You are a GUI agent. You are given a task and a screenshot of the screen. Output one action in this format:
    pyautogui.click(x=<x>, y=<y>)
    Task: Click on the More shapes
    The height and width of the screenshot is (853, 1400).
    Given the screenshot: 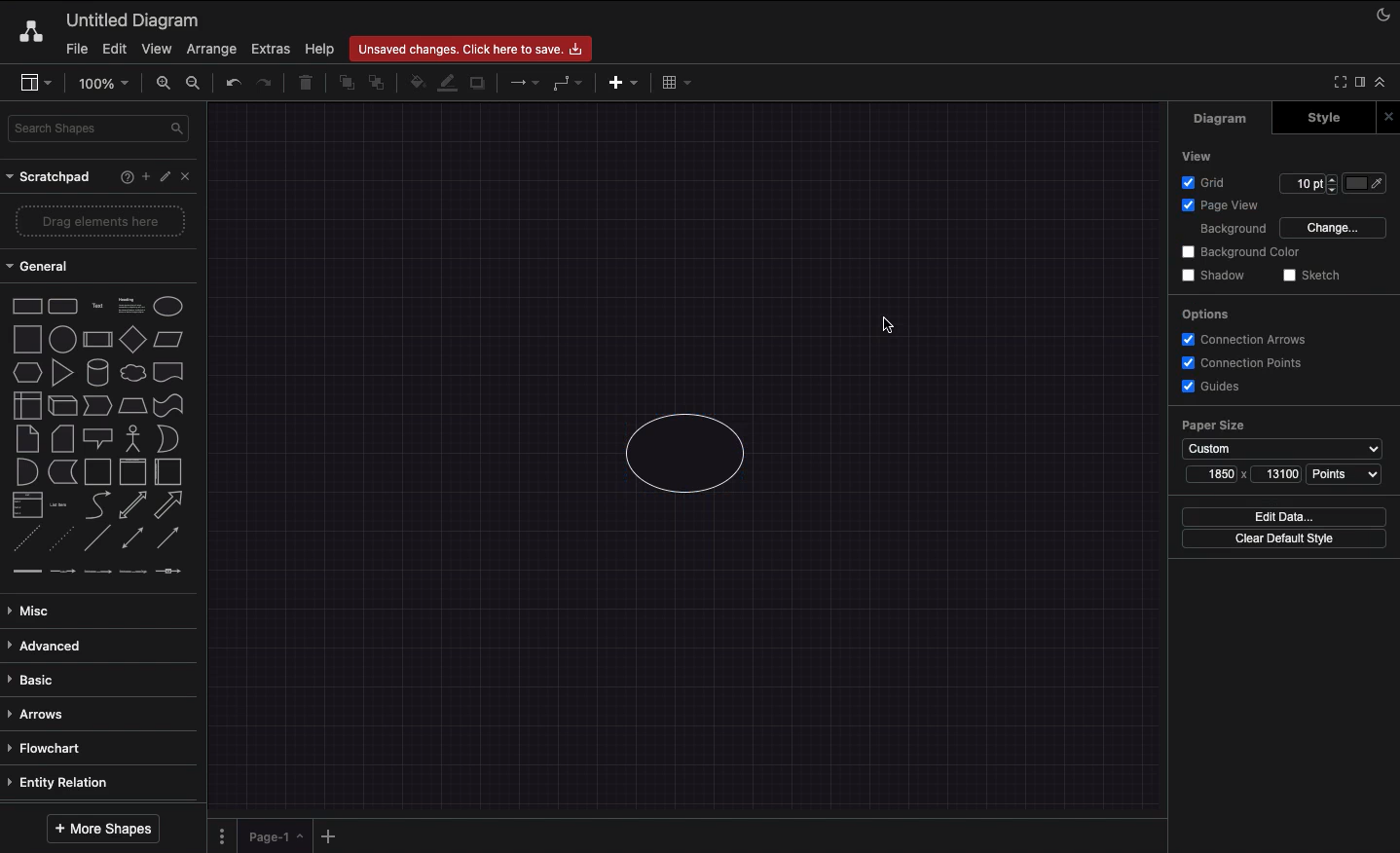 What is the action you would take?
    pyautogui.click(x=101, y=829)
    